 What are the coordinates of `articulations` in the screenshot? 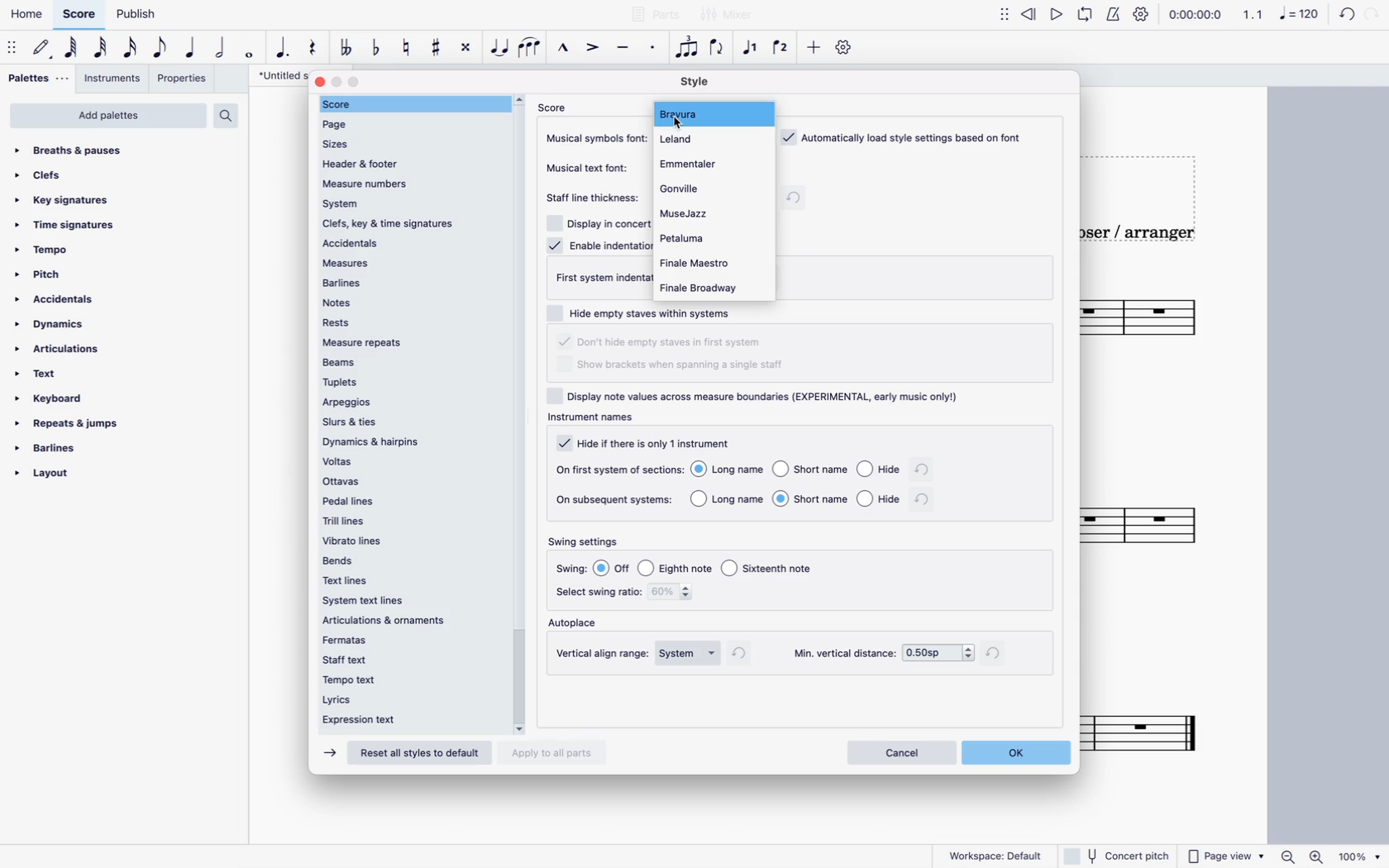 It's located at (63, 351).